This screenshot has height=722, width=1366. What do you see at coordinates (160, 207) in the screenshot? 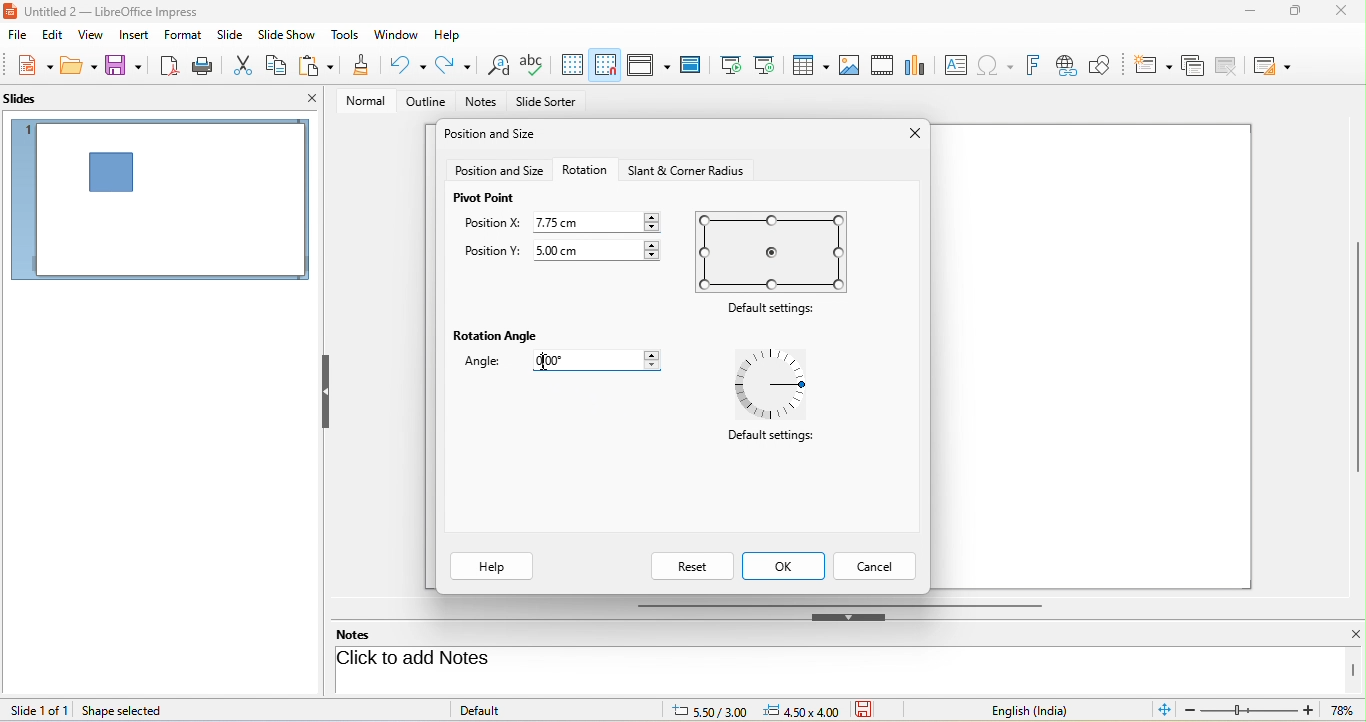
I see `slide 1 preview` at bounding box center [160, 207].